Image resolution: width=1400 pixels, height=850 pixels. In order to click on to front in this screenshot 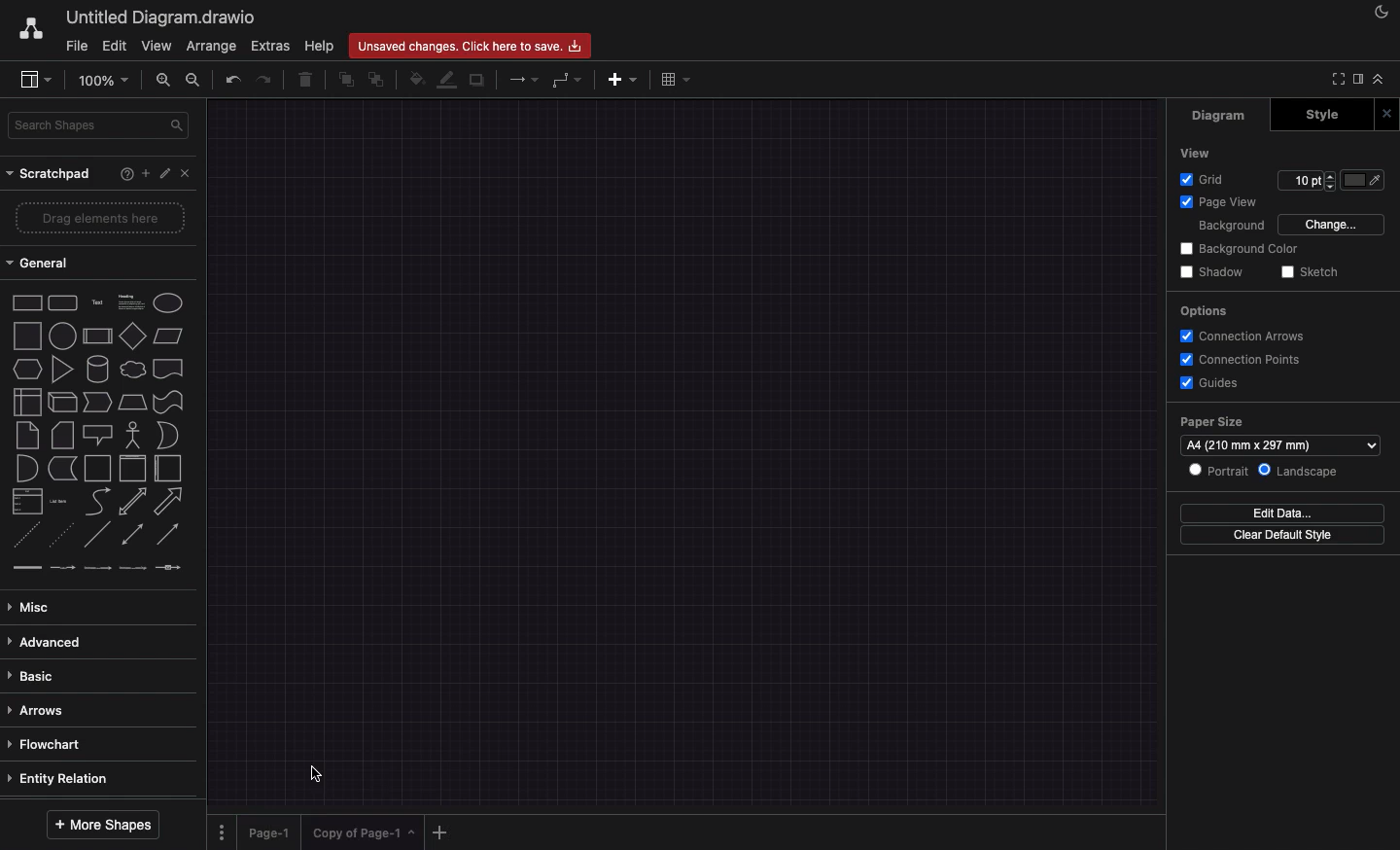, I will do `click(345, 80)`.